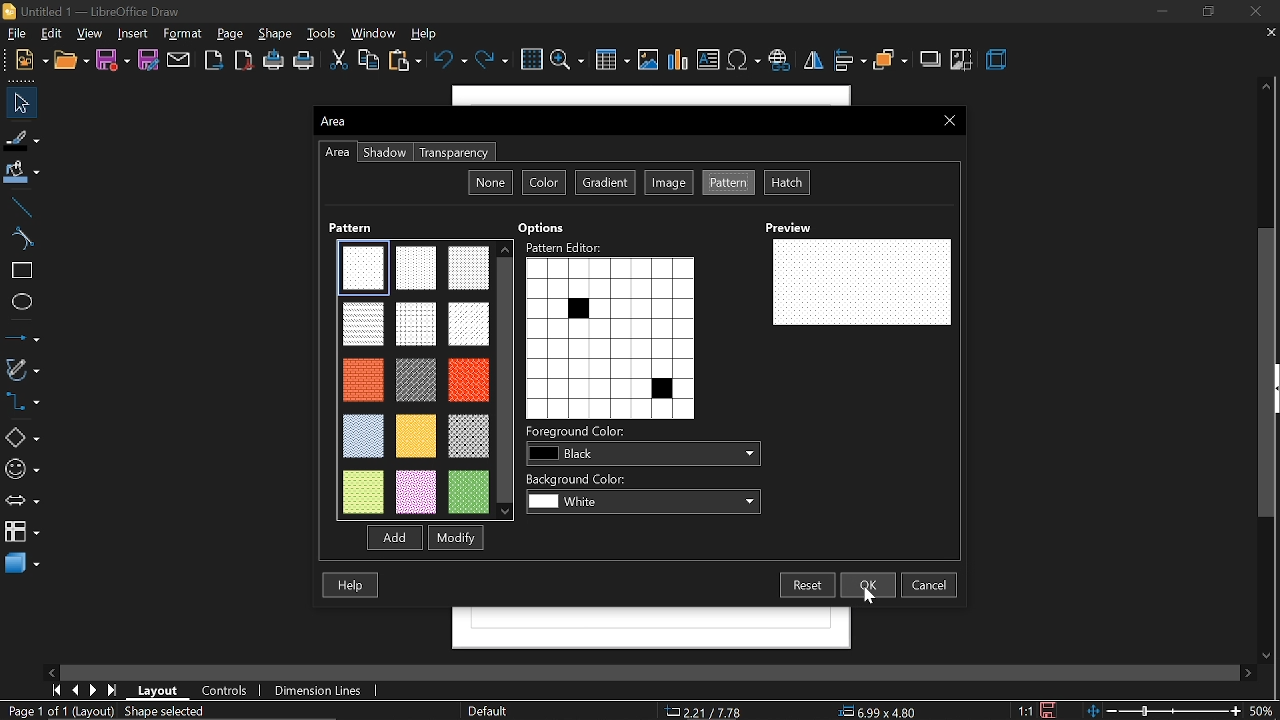 Image resolution: width=1280 pixels, height=720 pixels. Describe the element at coordinates (357, 227) in the screenshot. I see `Pattern` at that location.